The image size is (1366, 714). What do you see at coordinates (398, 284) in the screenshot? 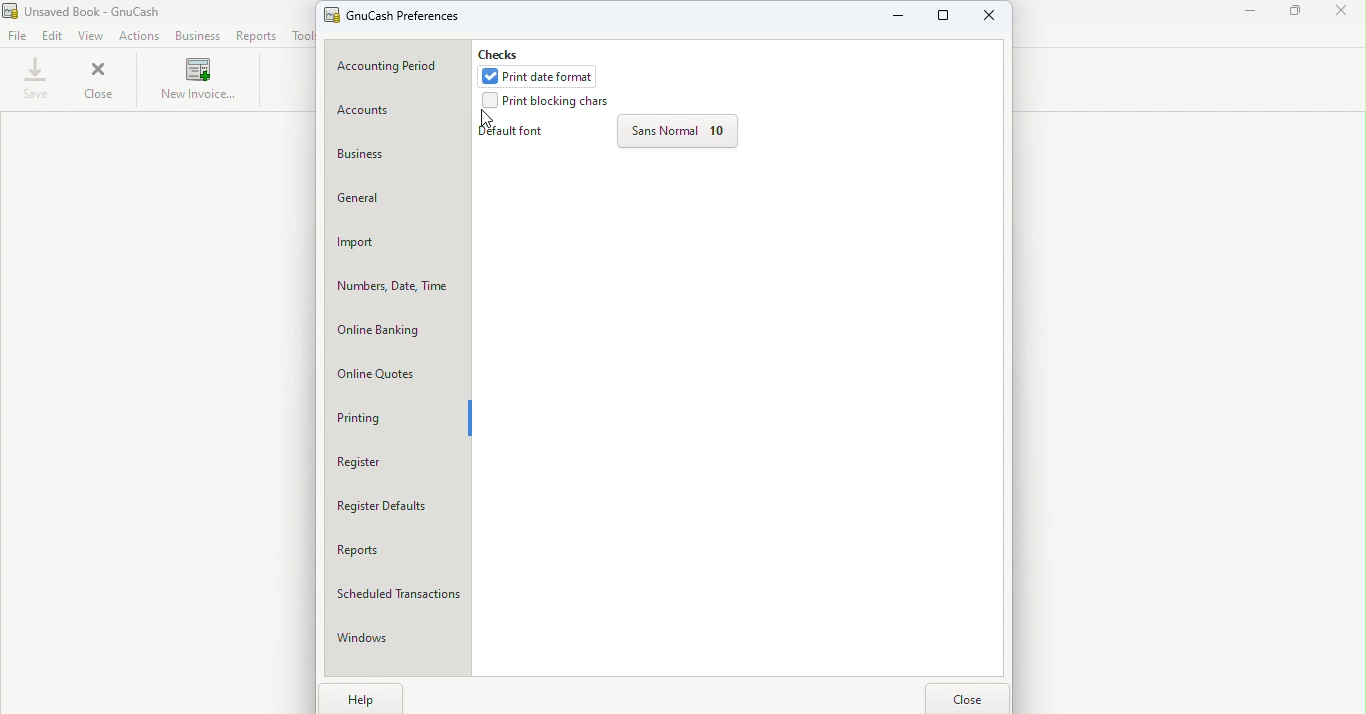
I see `Numbers, Date, Time` at bounding box center [398, 284].